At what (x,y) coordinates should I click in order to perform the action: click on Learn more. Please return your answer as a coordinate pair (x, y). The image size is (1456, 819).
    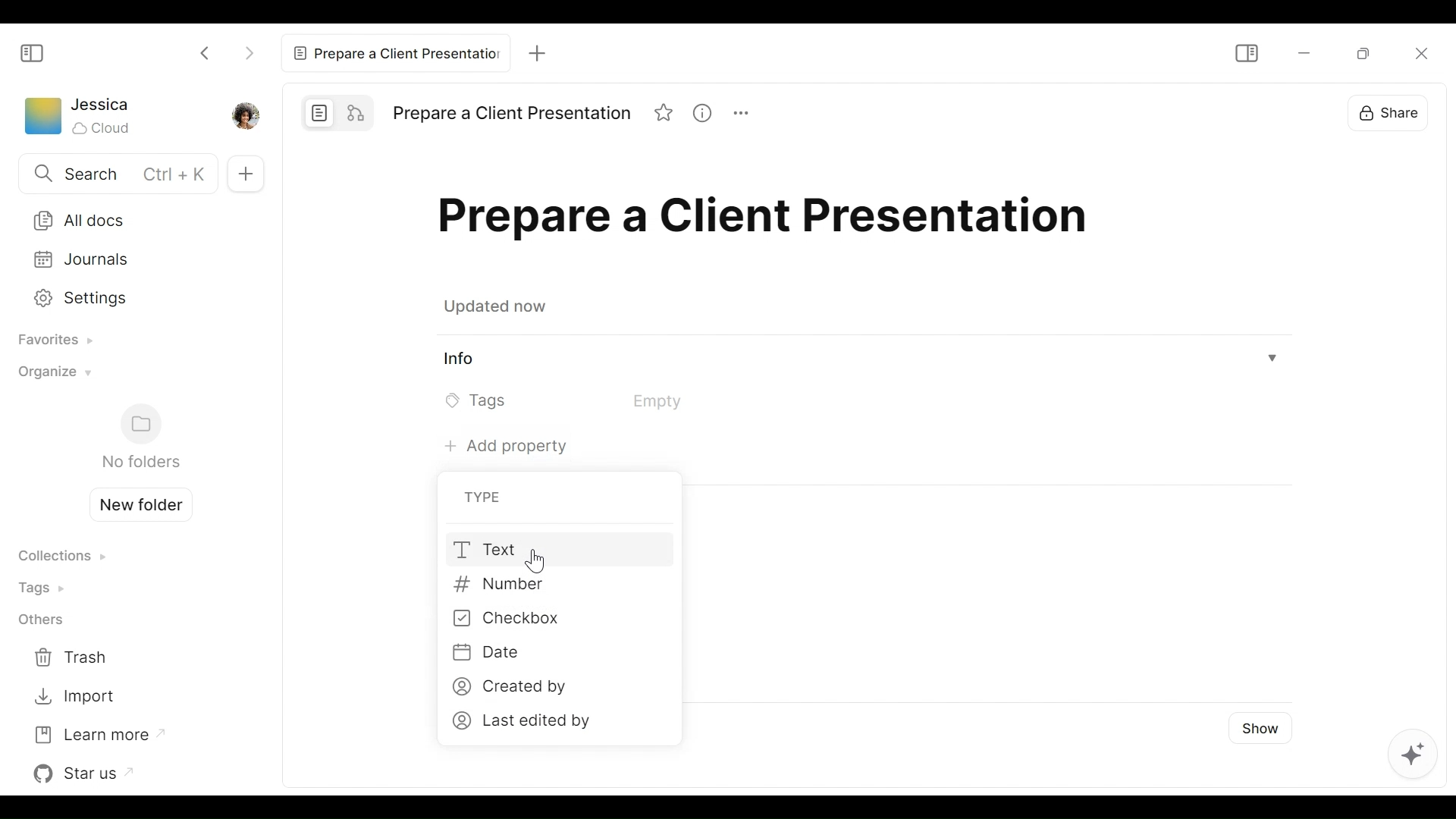
    Looking at the image, I should click on (98, 733).